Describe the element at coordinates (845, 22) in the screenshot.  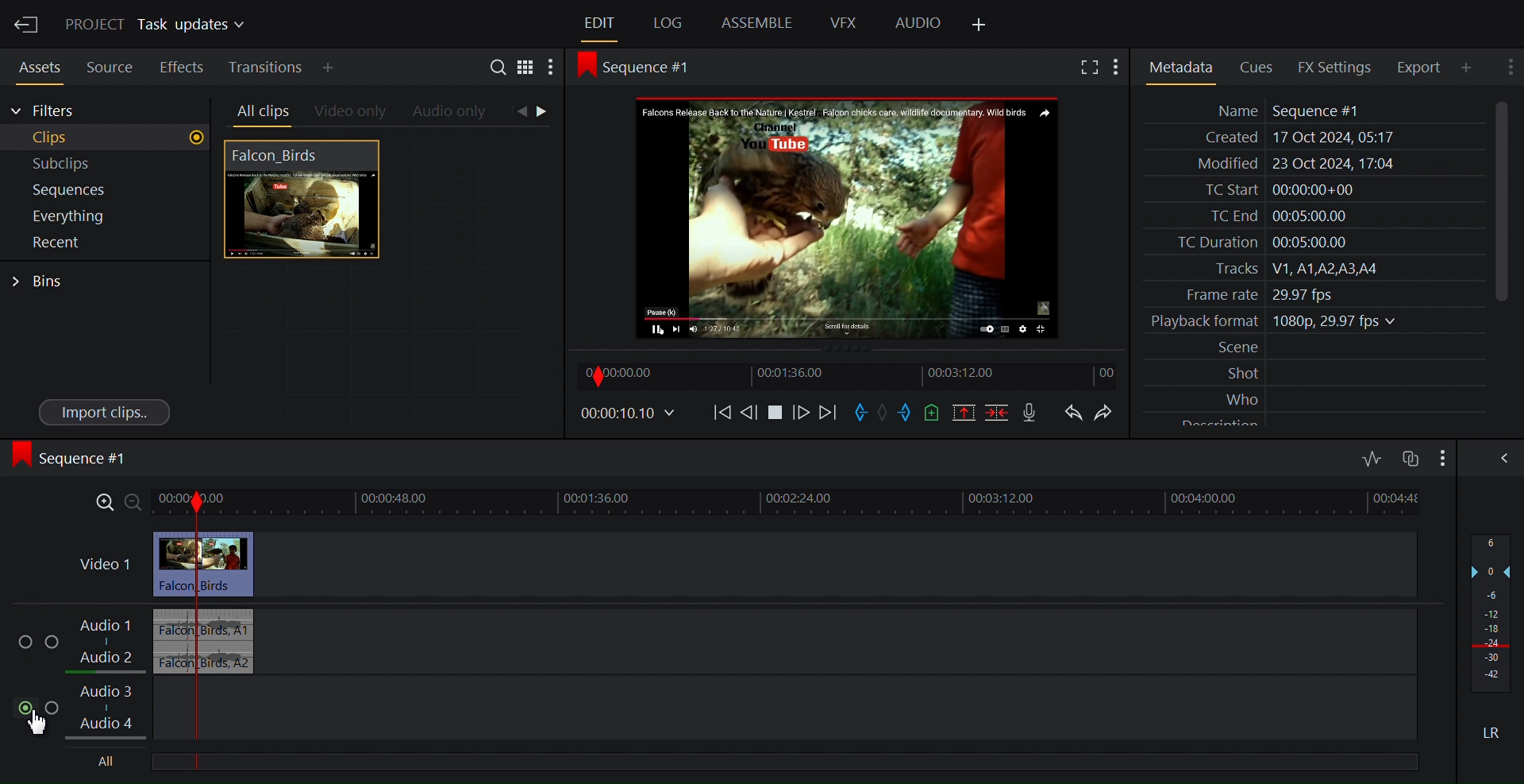
I see `VFX` at that location.